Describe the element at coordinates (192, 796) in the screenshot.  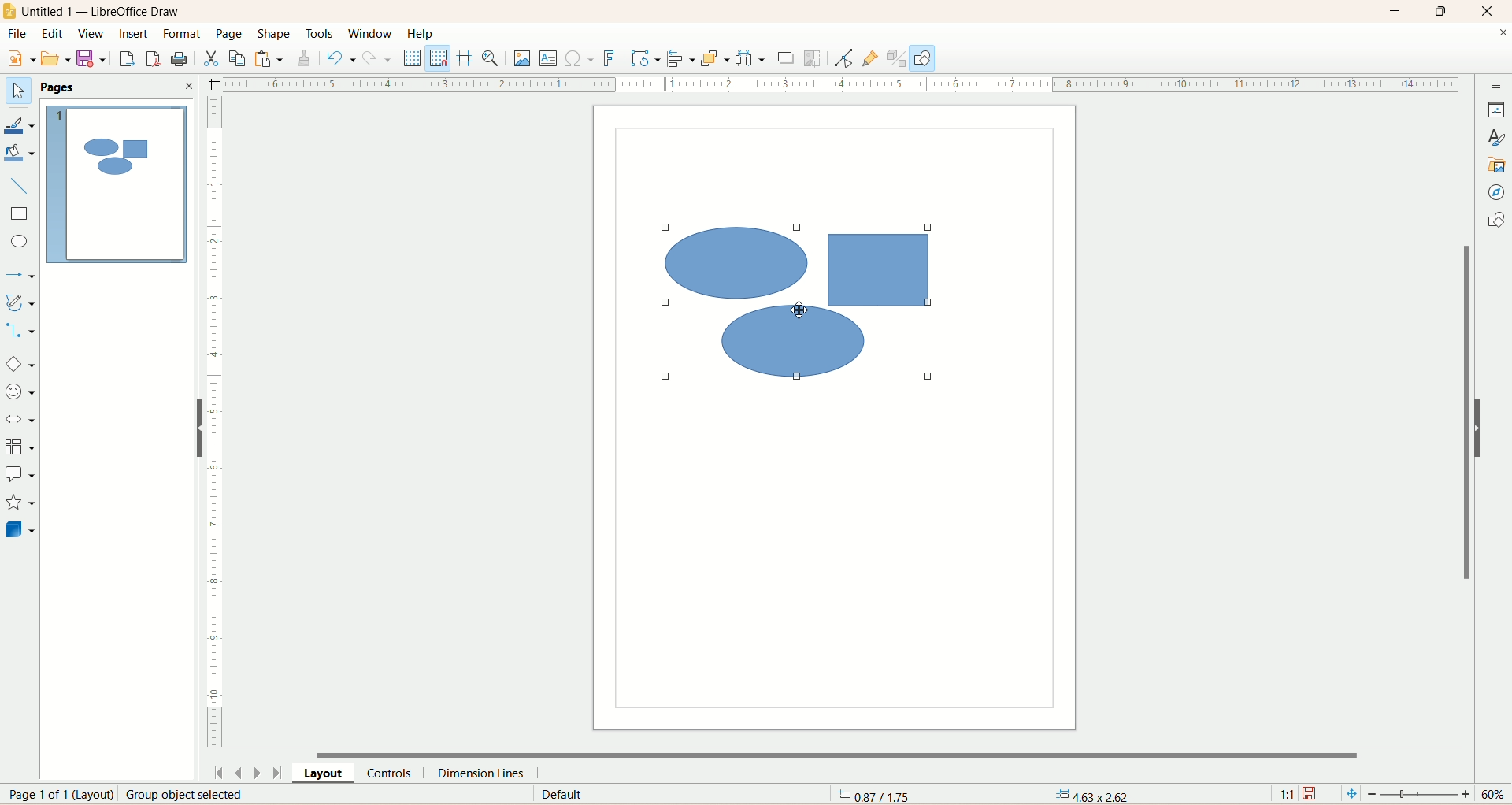
I see `group object selected` at that location.